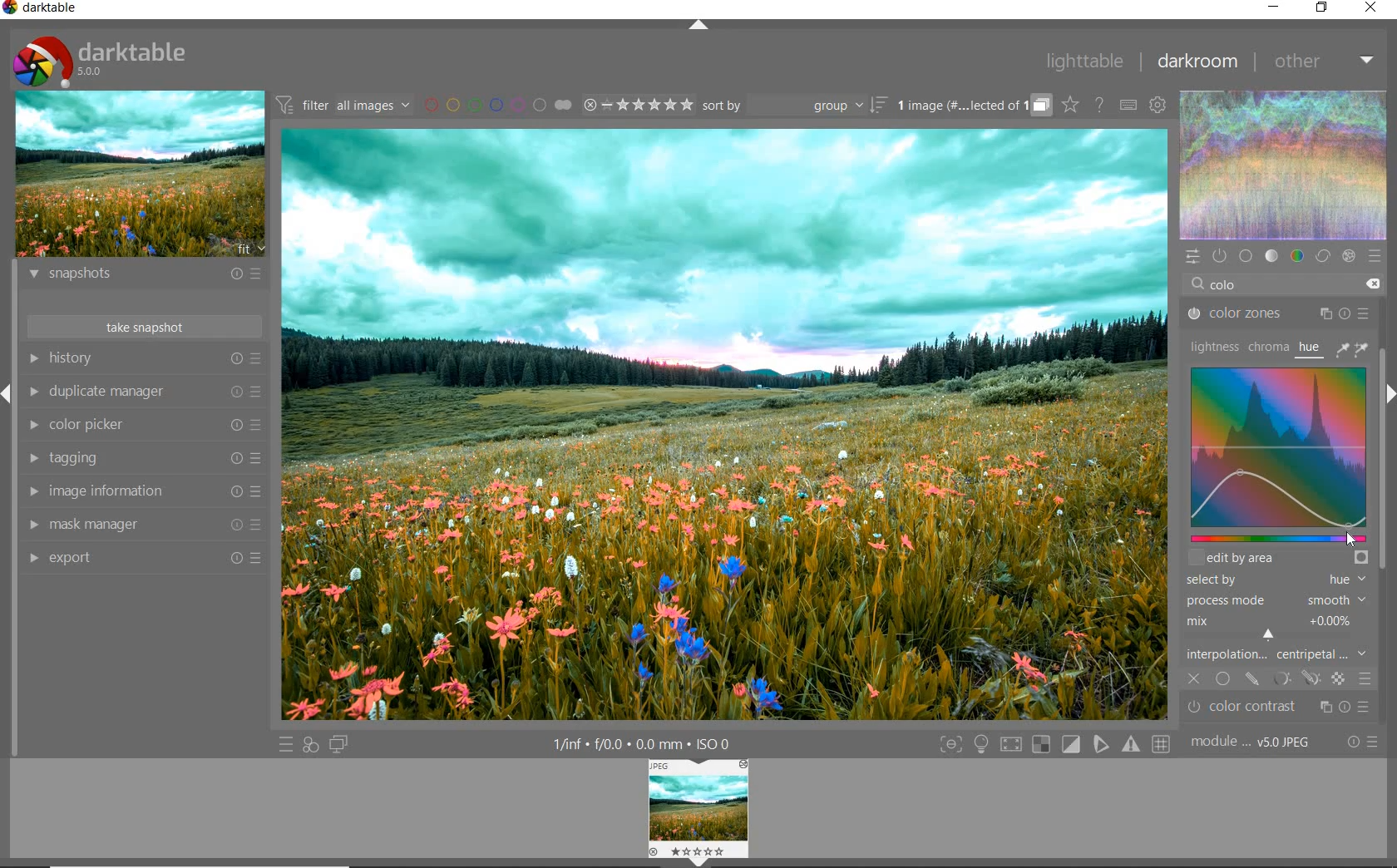 The image size is (1397, 868). Describe the element at coordinates (1296, 679) in the screenshot. I see `mask options` at that location.